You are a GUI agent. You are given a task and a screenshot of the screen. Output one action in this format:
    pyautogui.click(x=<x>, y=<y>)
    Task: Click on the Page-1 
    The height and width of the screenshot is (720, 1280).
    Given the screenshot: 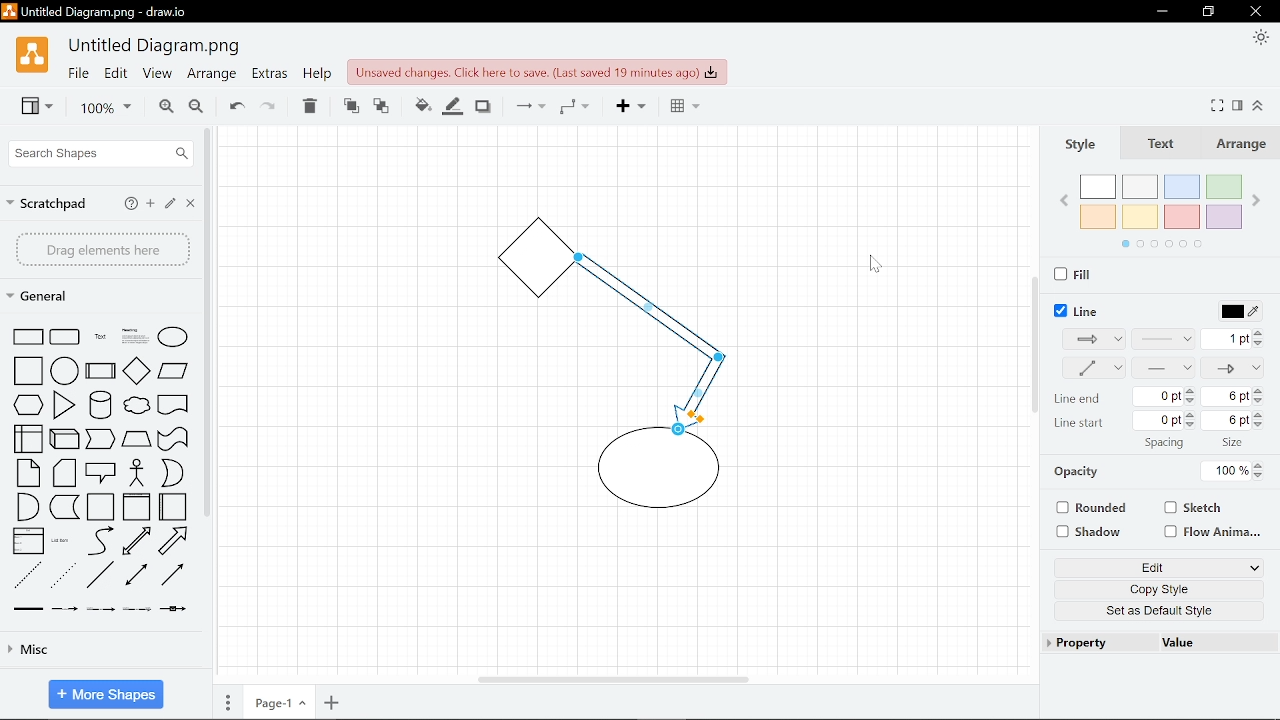 What is the action you would take?
    pyautogui.click(x=277, y=704)
    